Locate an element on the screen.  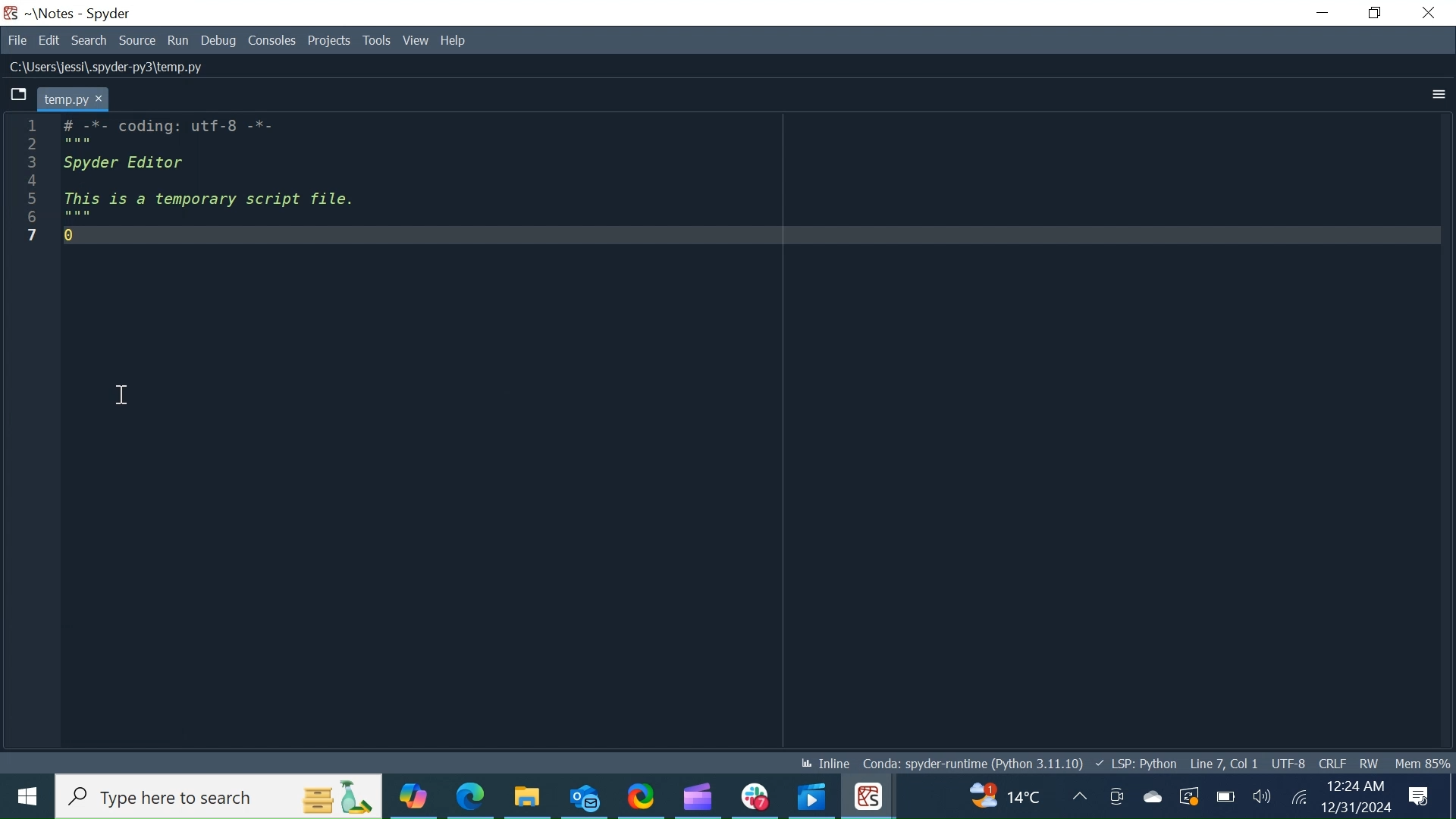
crlf is located at coordinates (1332, 764).